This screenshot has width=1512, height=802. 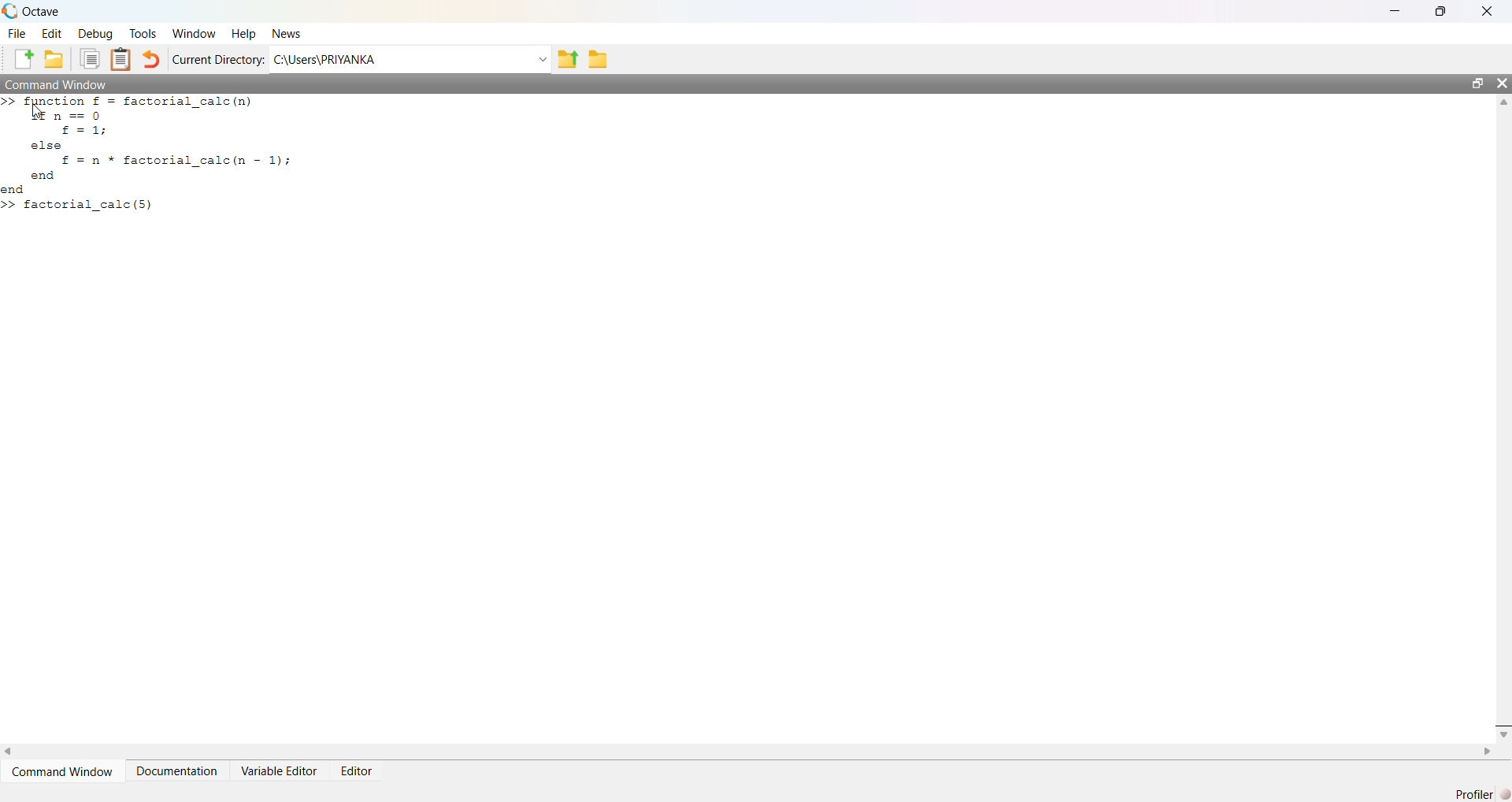 I want to click on file, so click(x=19, y=32).